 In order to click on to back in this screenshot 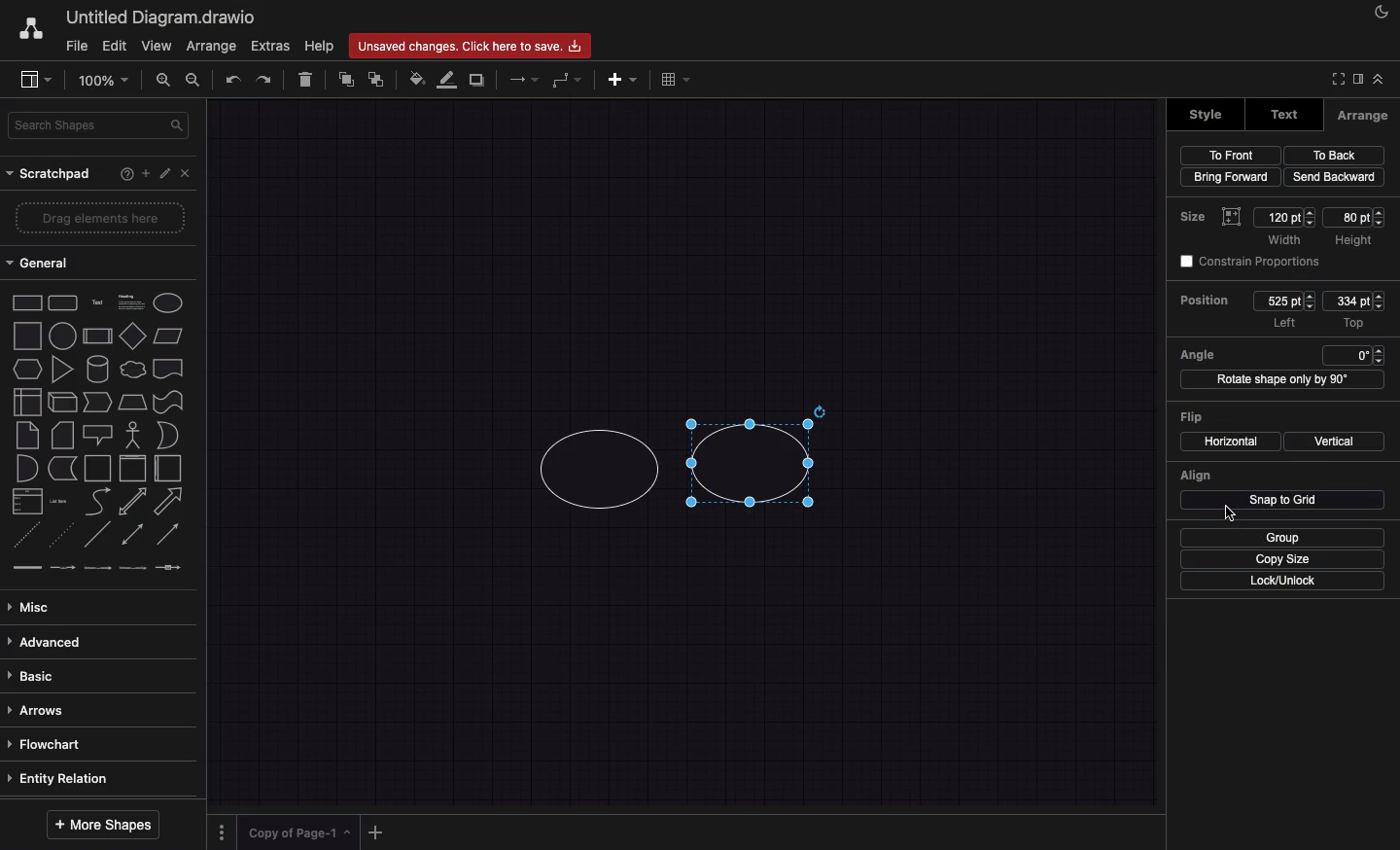, I will do `click(376, 79)`.